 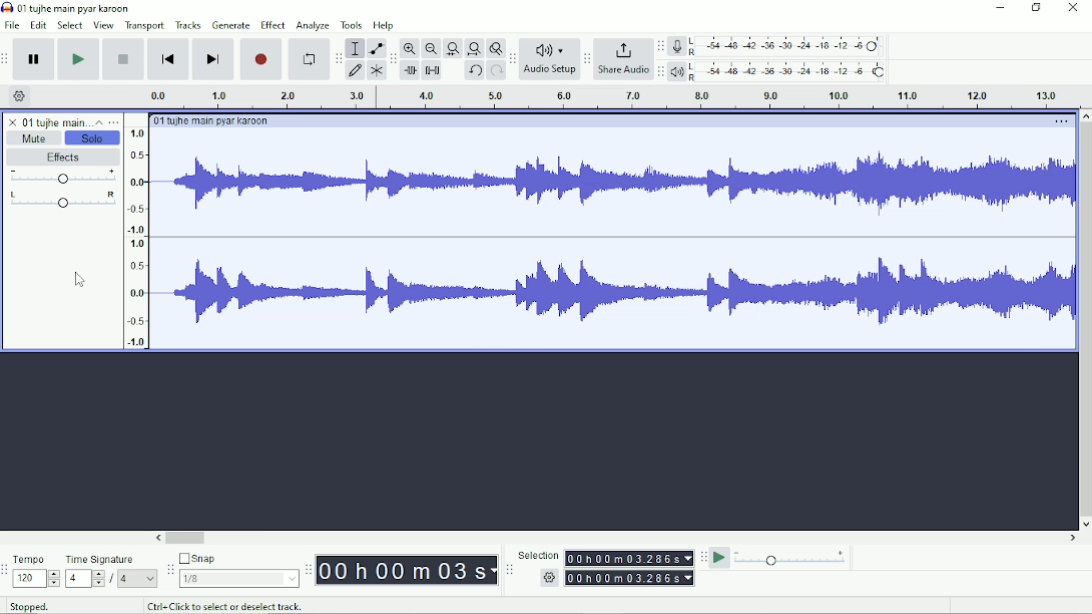 What do you see at coordinates (38, 580) in the screenshot?
I see `` at bounding box center [38, 580].